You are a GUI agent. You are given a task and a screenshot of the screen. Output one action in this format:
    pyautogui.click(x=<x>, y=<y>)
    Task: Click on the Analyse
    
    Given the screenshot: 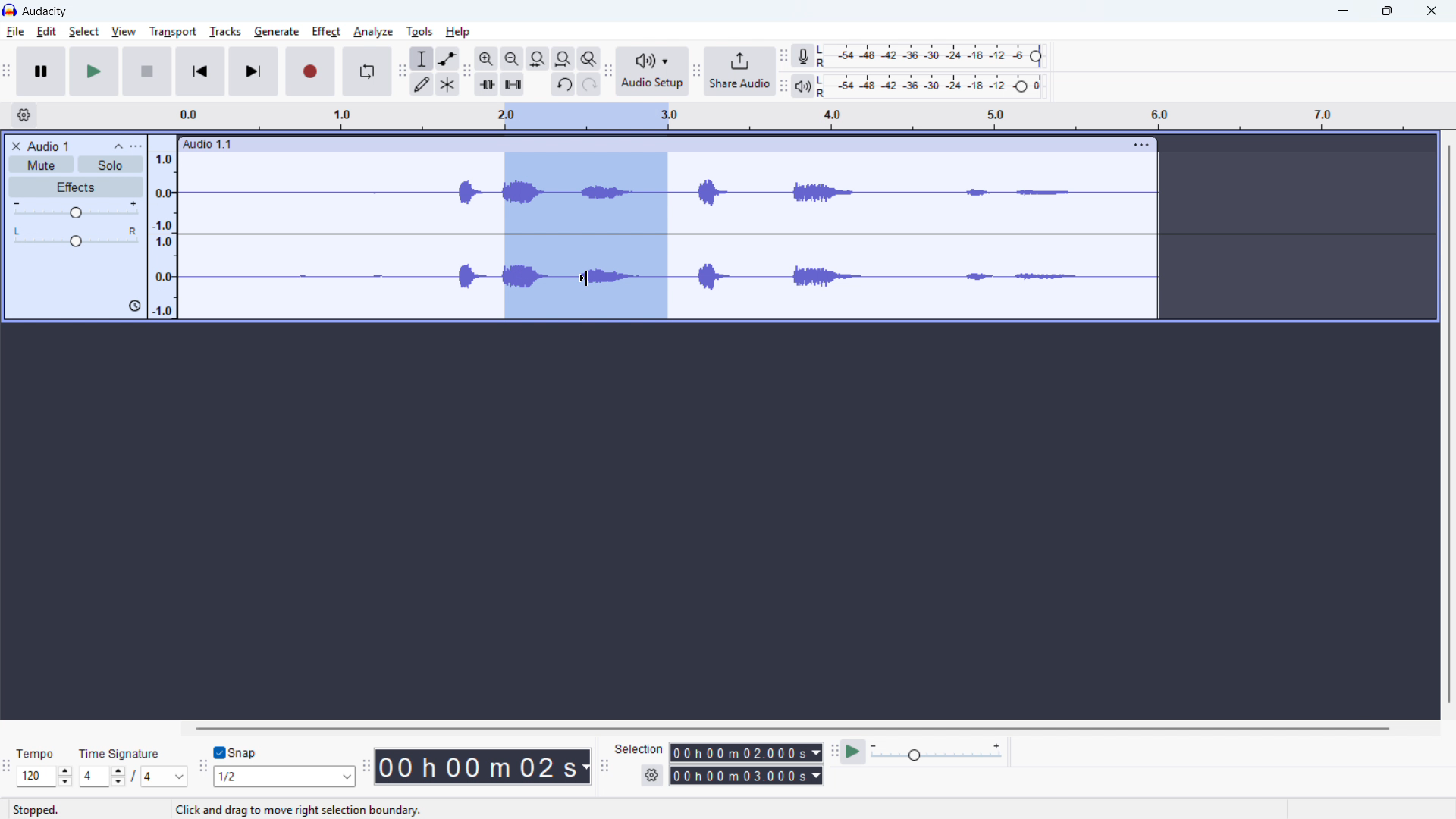 What is the action you would take?
    pyautogui.click(x=374, y=33)
    